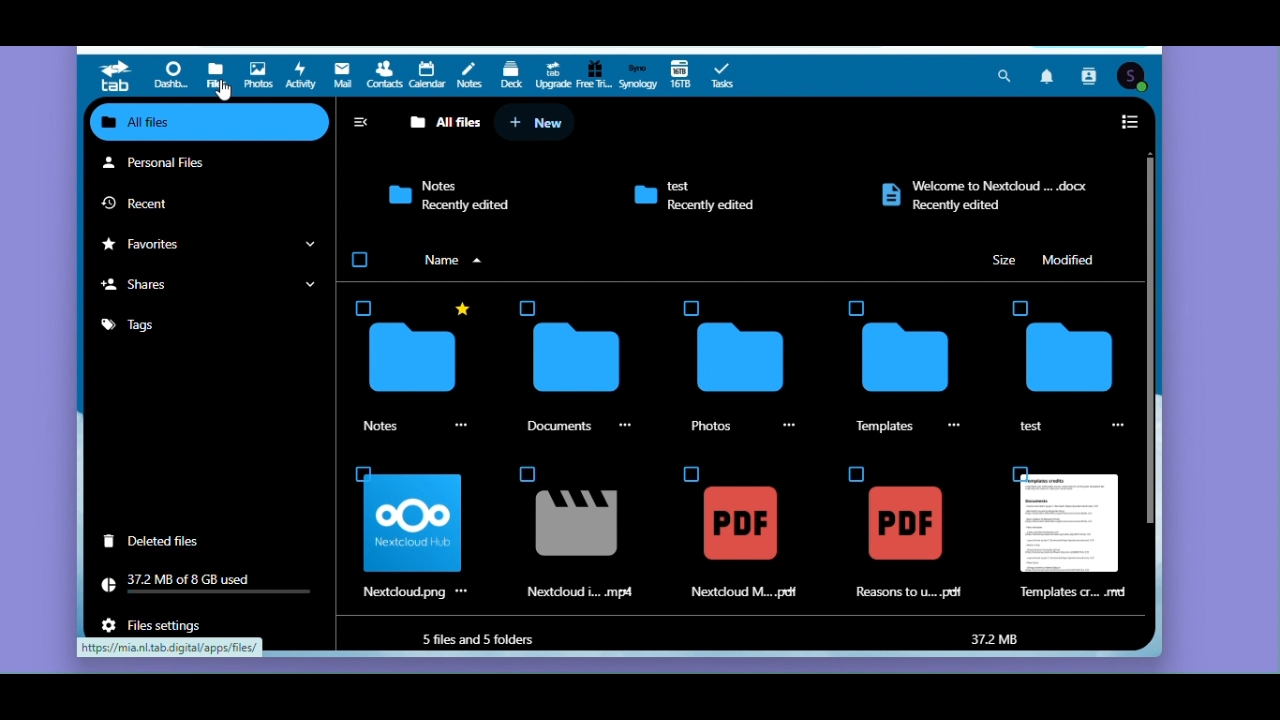  Describe the element at coordinates (915, 538) in the screenshot. I see `reasons to .pdf` at that location.